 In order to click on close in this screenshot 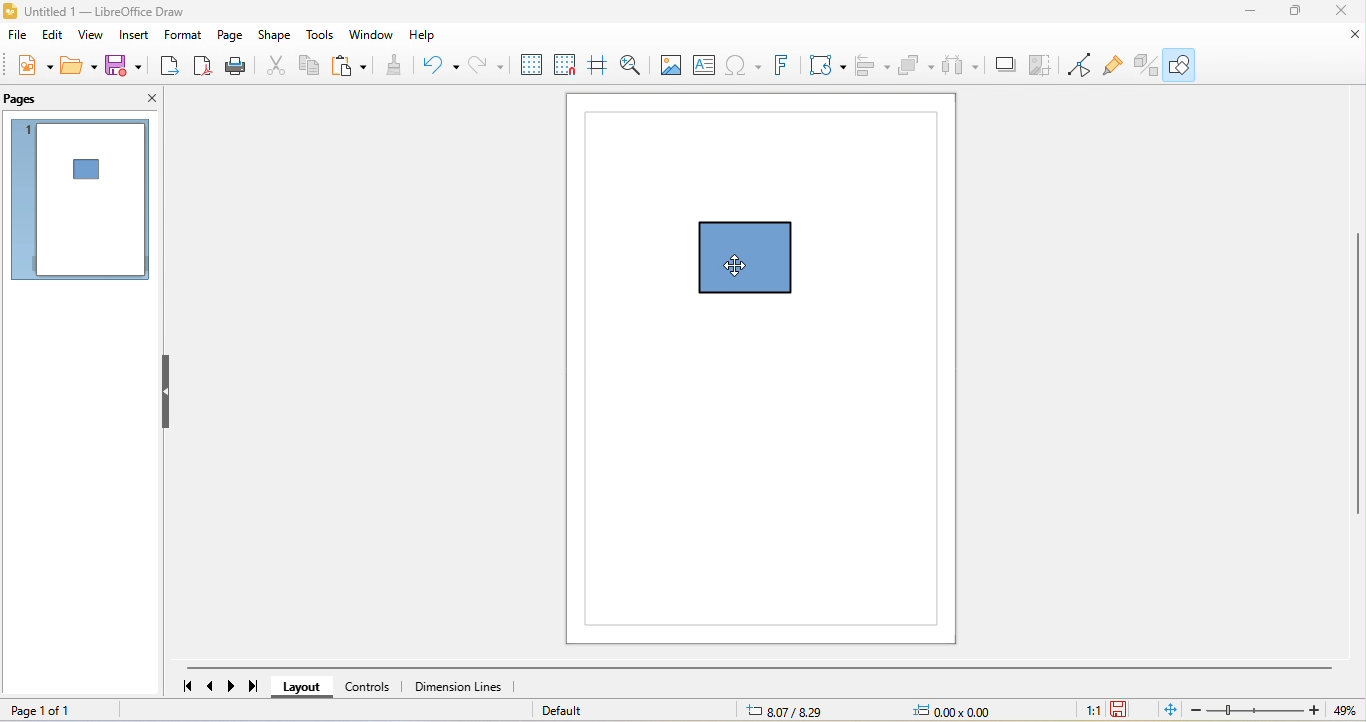, I will do `click(1343, 12)`.